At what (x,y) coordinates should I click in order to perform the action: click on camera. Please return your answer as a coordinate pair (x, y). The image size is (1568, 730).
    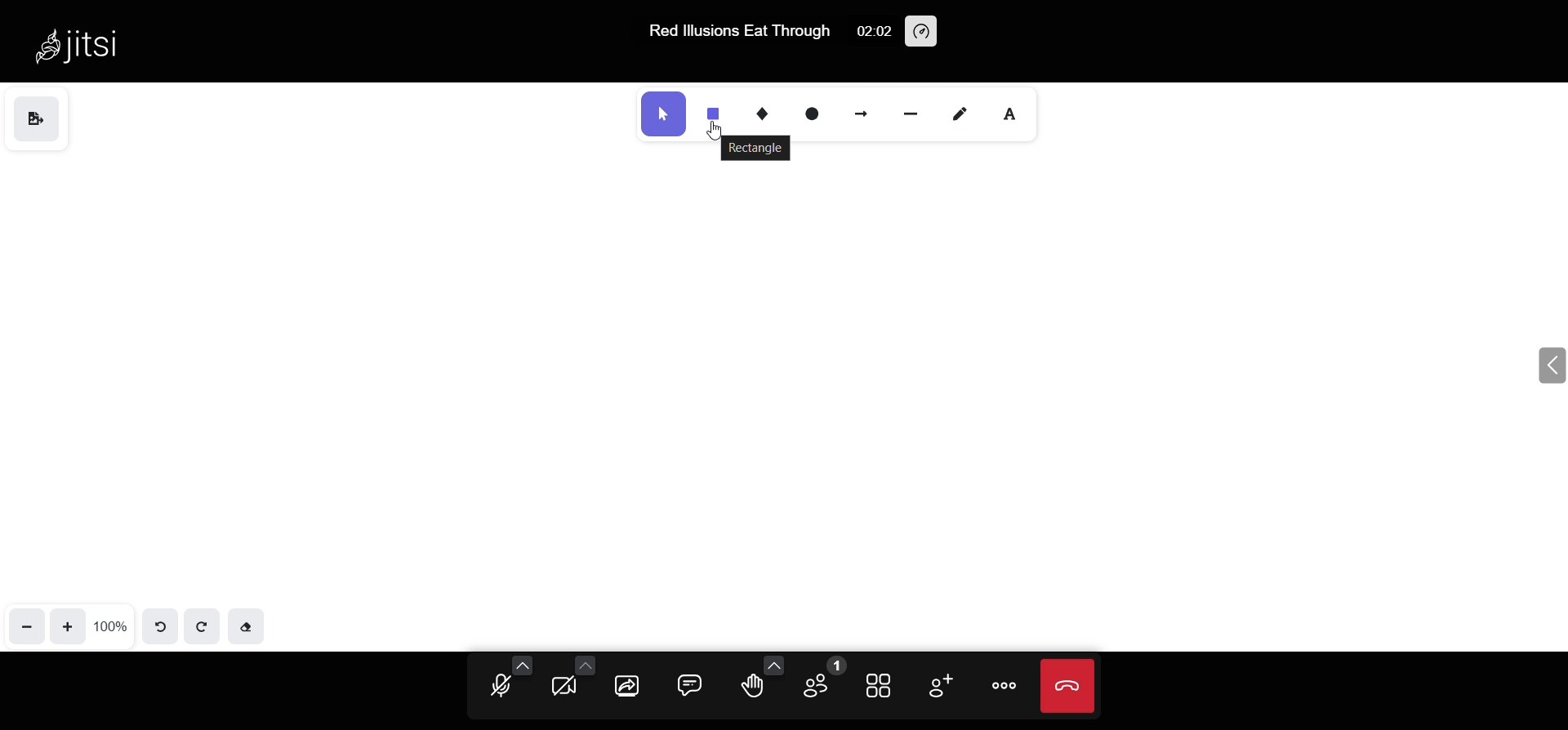
    Looking at the image, I should click on (565, 689).